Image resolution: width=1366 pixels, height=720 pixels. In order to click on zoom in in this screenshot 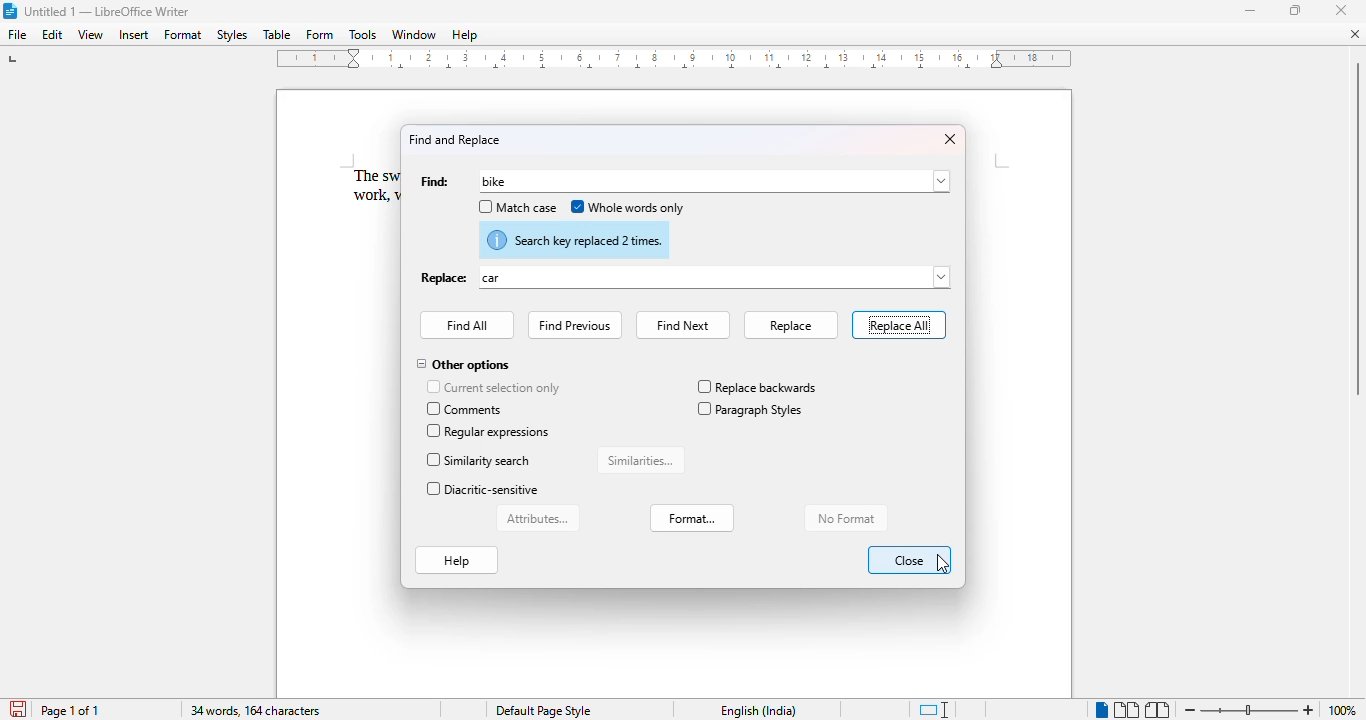, I will do `click(1309, 709)`.